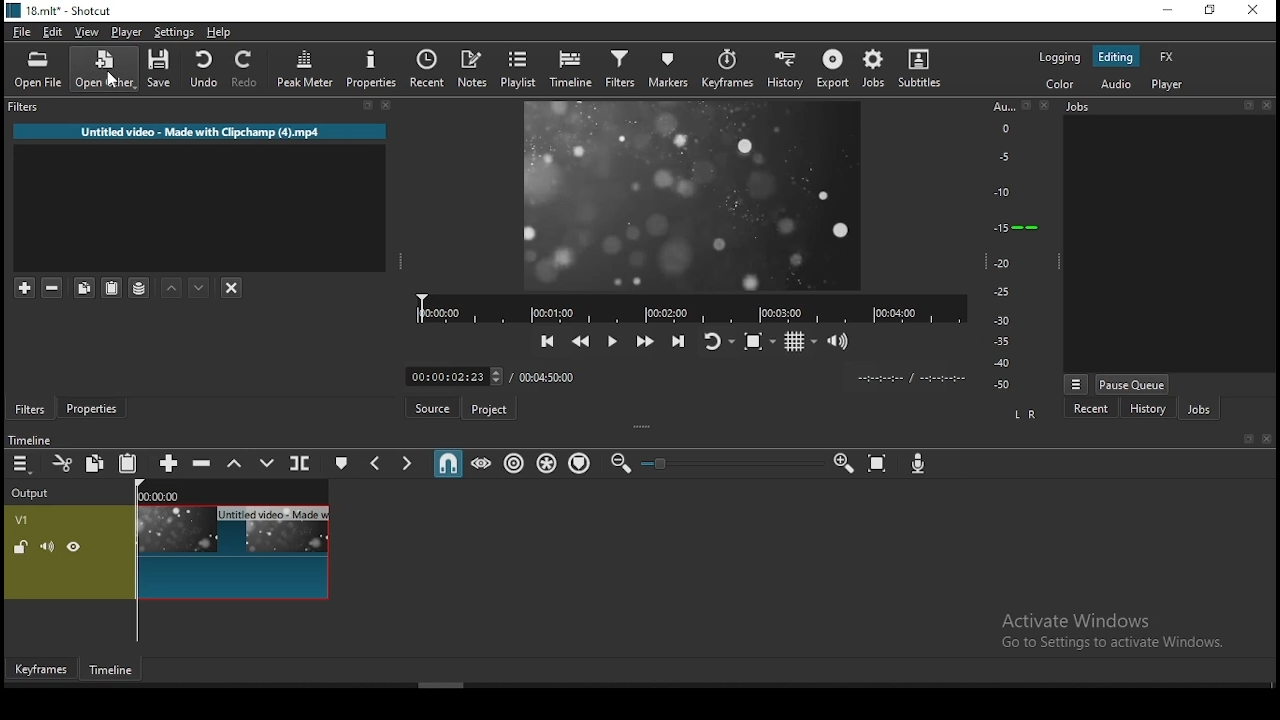 The width and height of the screenshot is (1280, 720). I want to click on color, so click(1059, 86).